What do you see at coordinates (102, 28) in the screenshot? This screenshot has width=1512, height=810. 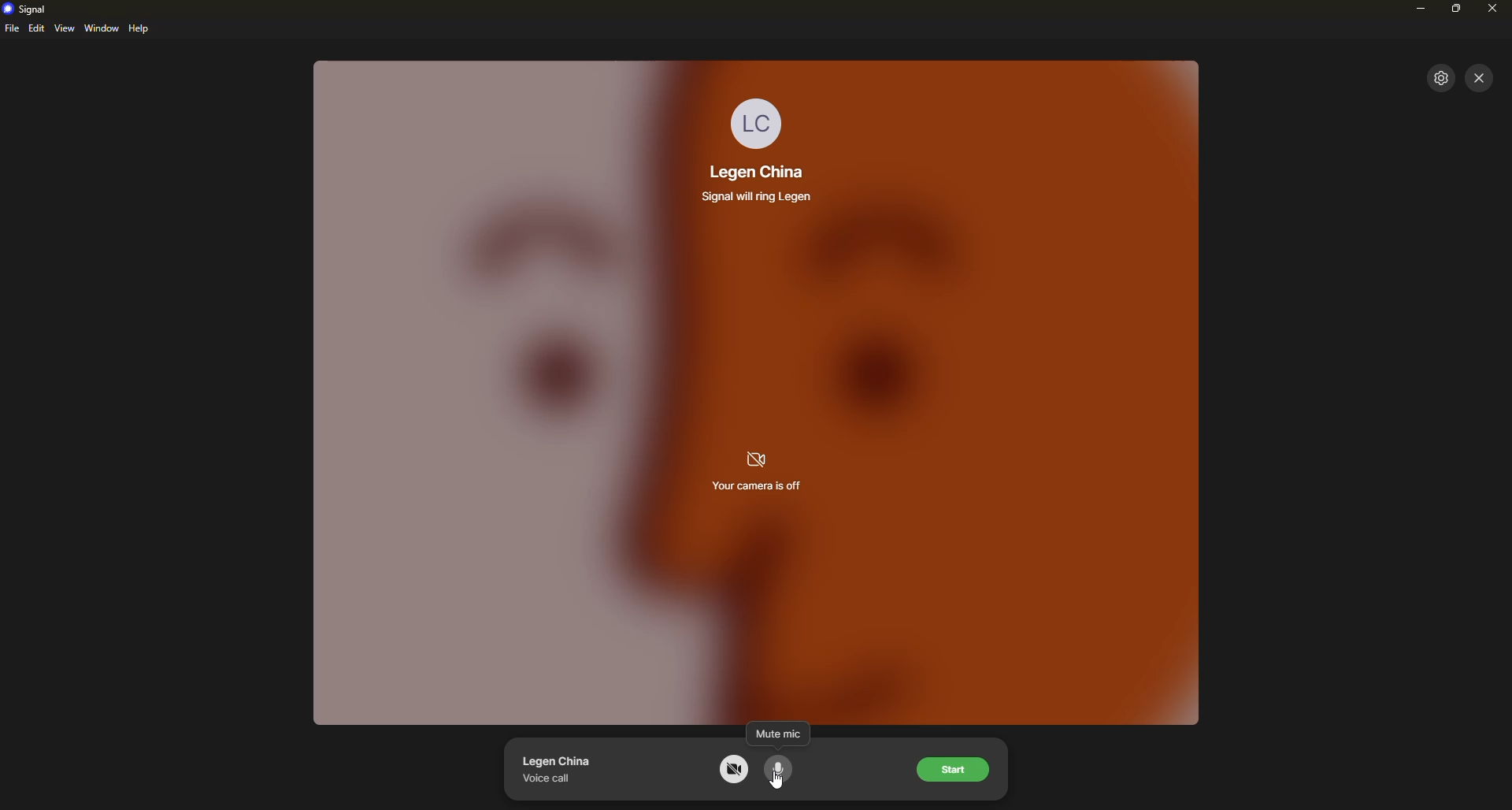 I see `window` at bounding box center [102, 28].